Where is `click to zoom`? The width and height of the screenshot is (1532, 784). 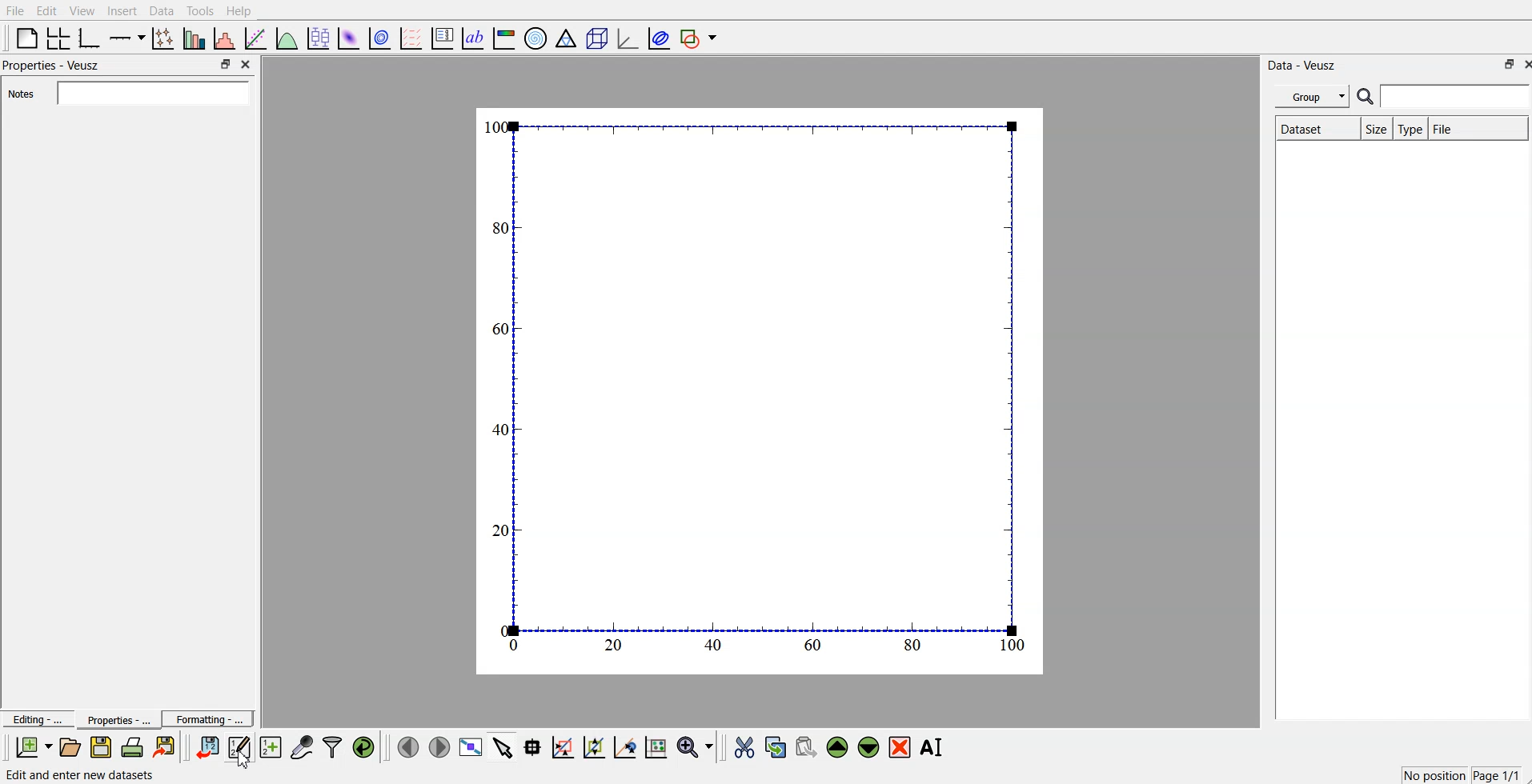 click to zoom is located at coordinates (596, 746).